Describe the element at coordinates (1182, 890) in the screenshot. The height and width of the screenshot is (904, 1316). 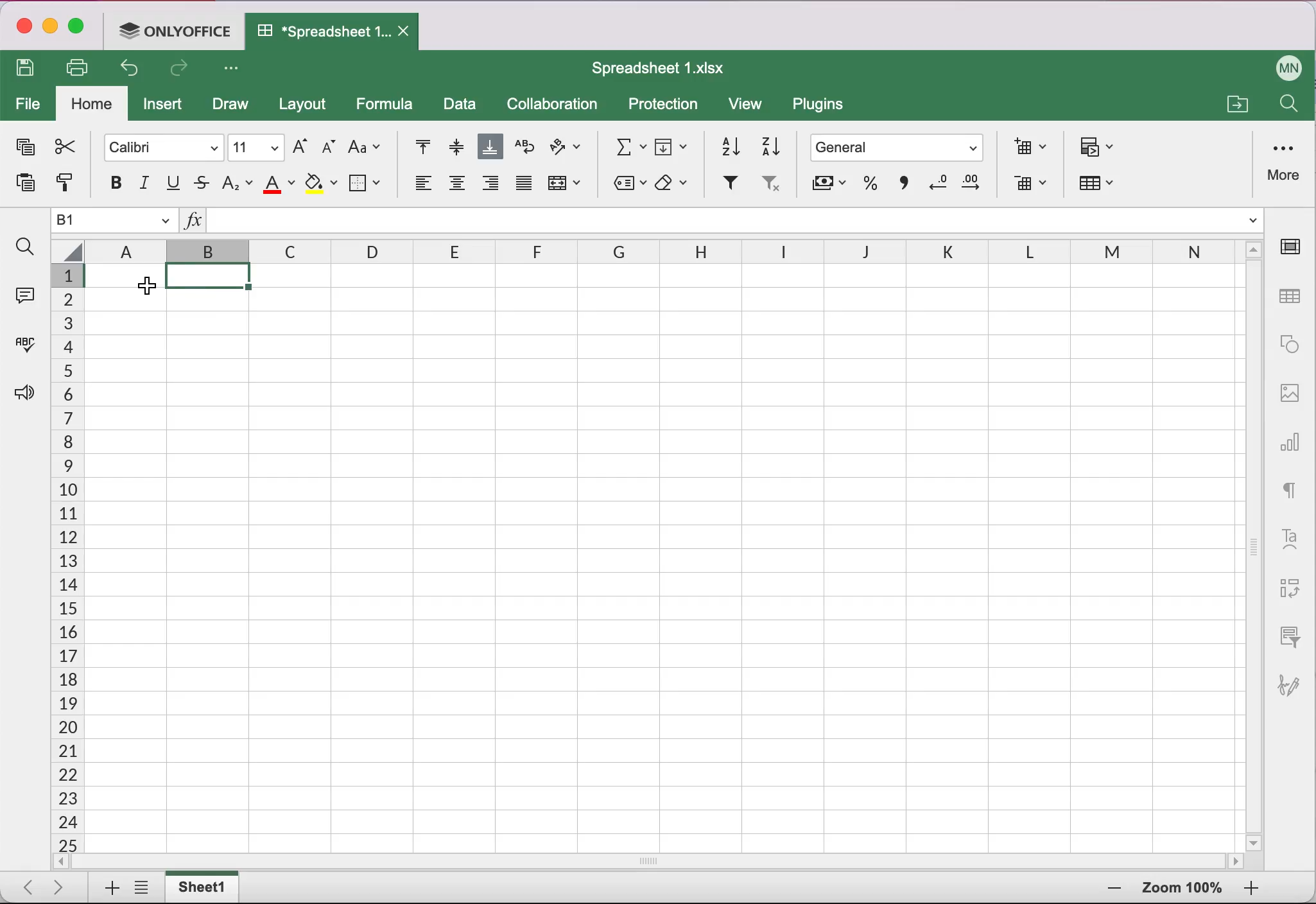
I see `zoom percentage` at that location.